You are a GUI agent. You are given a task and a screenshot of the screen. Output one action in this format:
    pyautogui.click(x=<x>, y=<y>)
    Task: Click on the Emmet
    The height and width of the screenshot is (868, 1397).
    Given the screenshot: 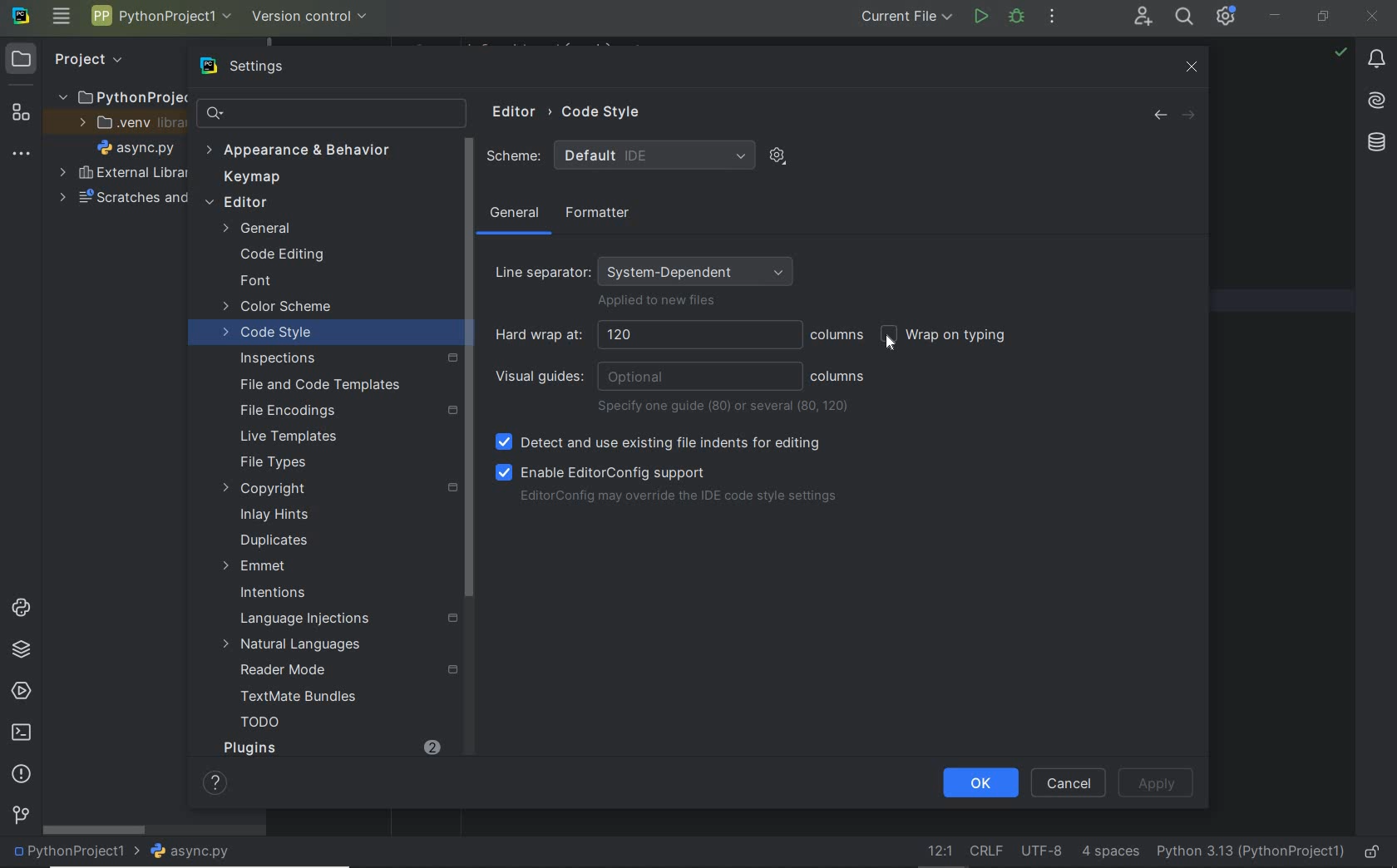 What is the action you would take?
    pyautogui.click(x=254, y=566)
    